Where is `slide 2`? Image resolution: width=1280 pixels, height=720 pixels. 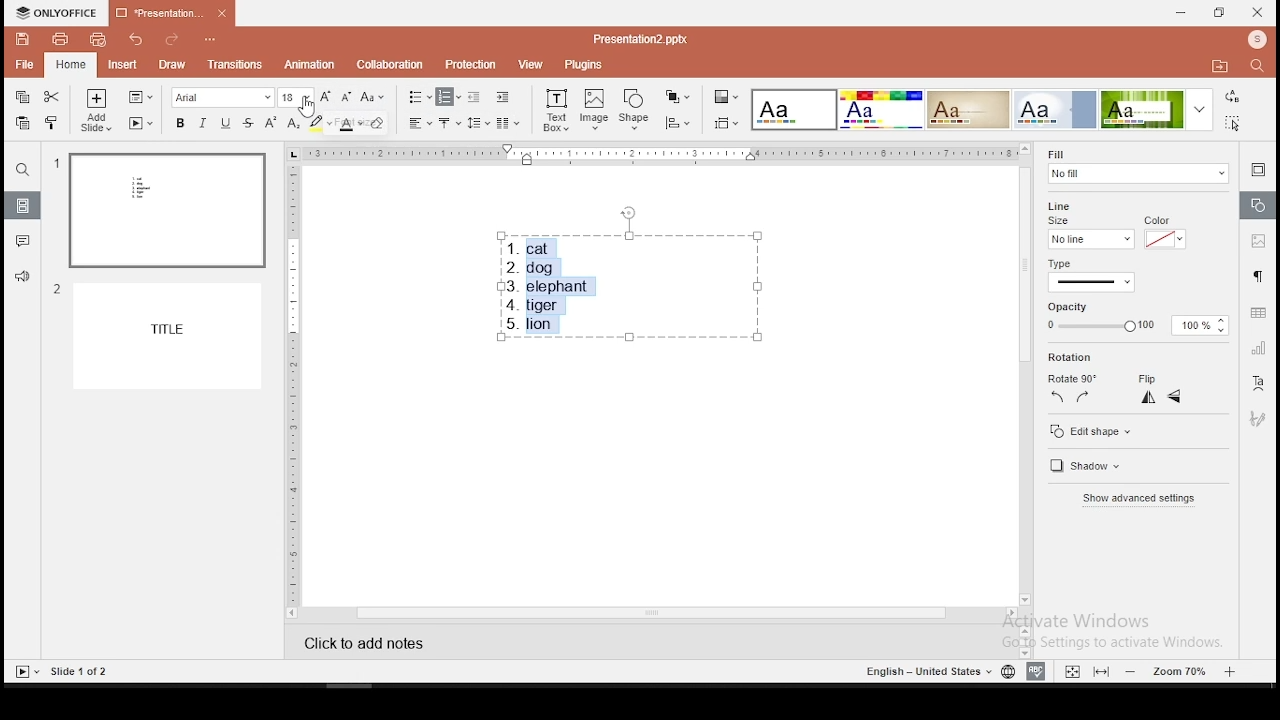 slide 2 is located at coordinates (155, 335).